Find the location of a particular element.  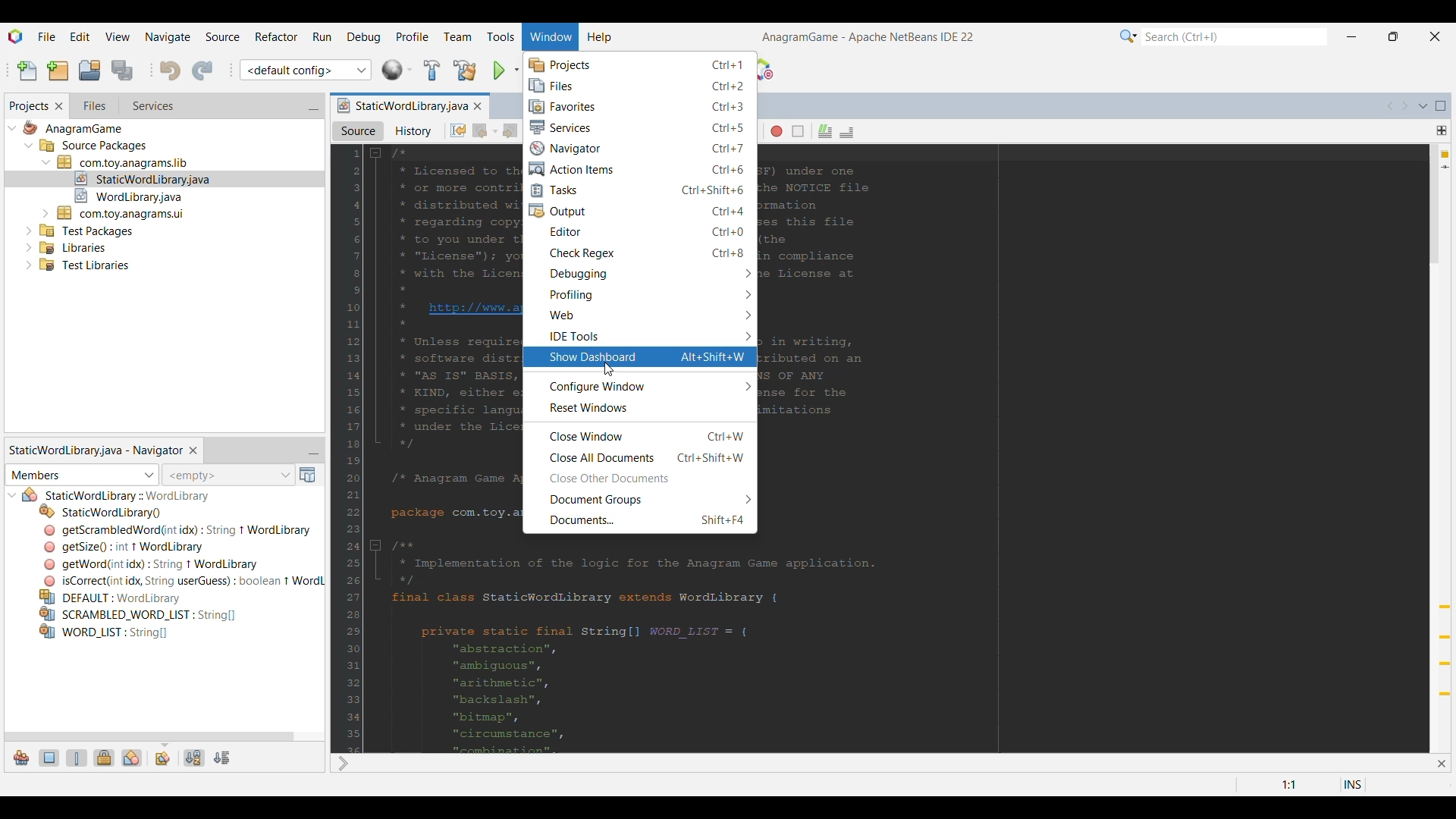

Show interface in a smaller tab is located at coordinates (1394, 36).